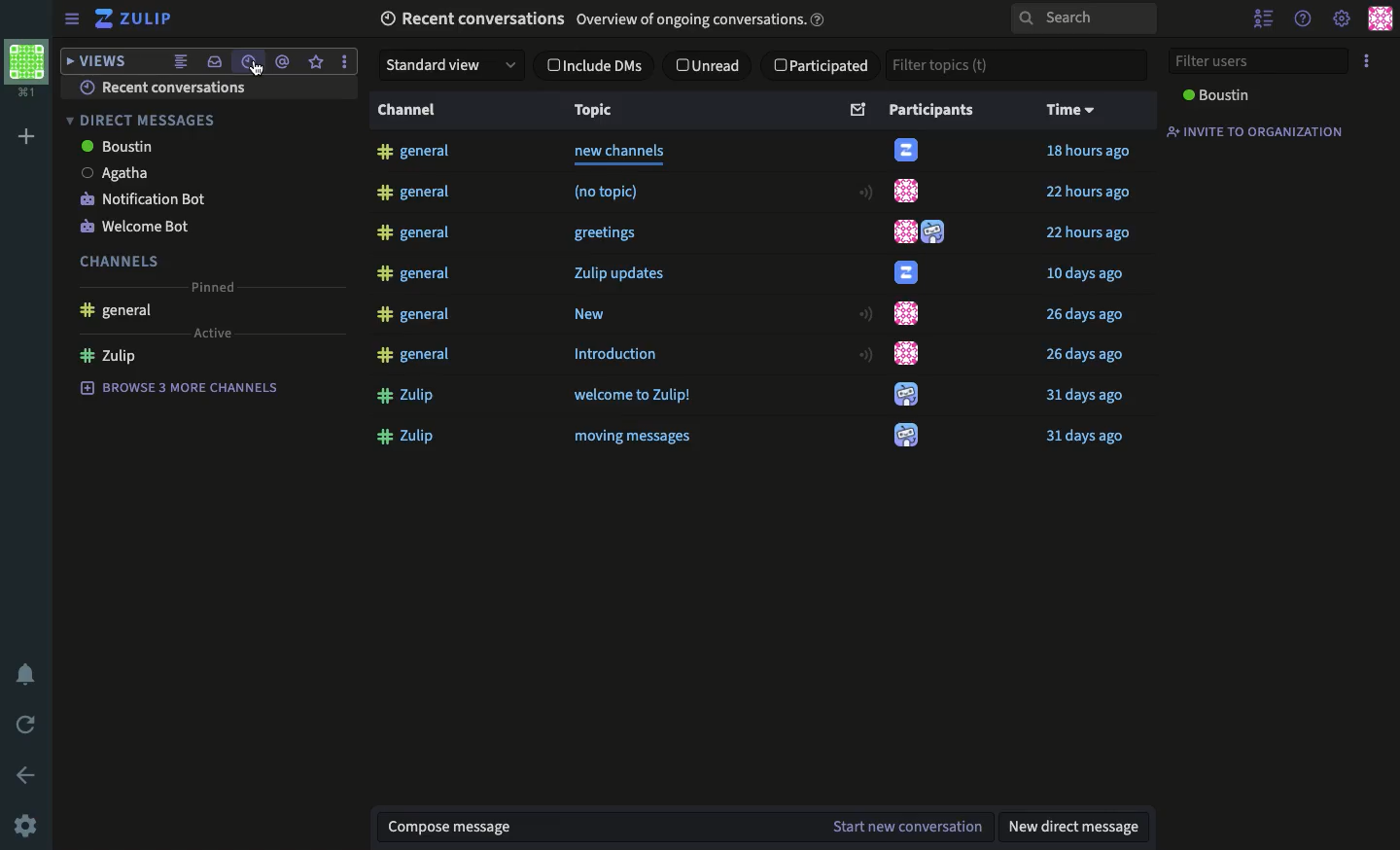 The image size is (1400, 850). What do you see at coordinates (165, 89) in the screenshot?
I see `recent conversation` at bounding box center [165, 89].